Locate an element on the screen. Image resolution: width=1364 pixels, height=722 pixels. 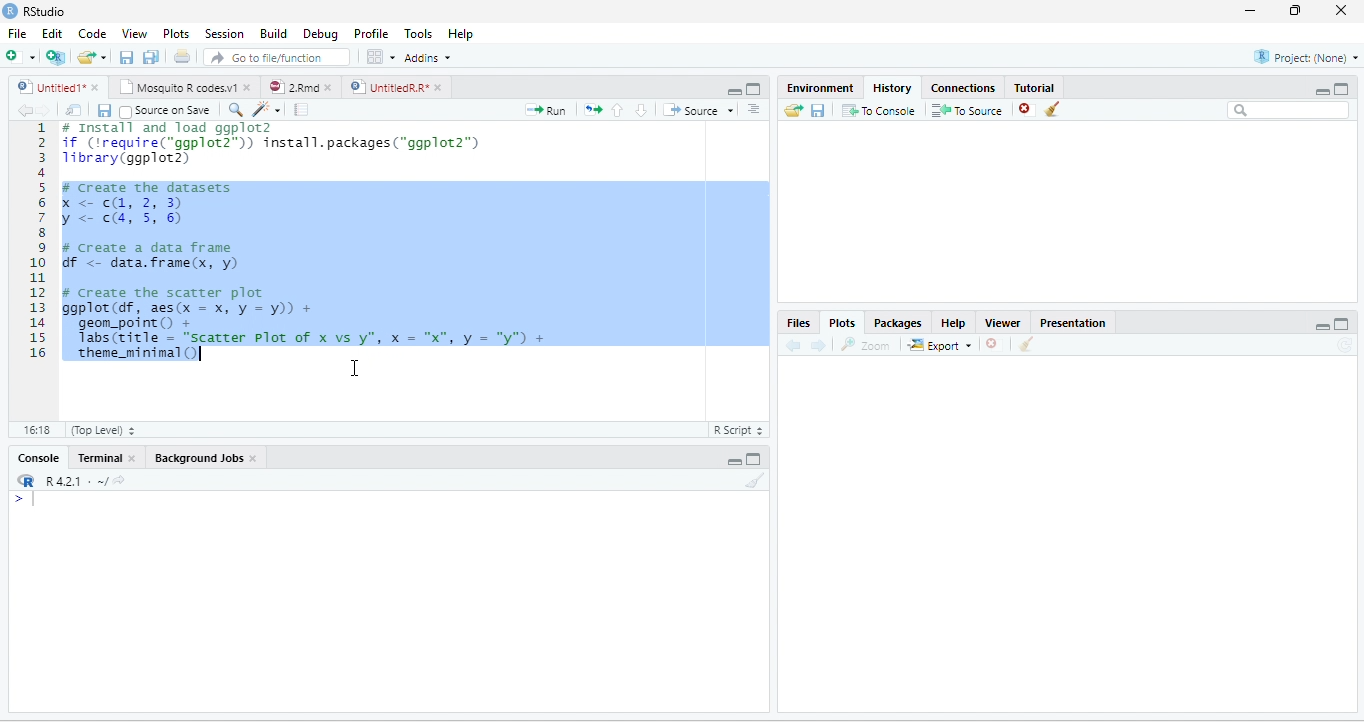
Previous plot is located at coordinates (794, 345).